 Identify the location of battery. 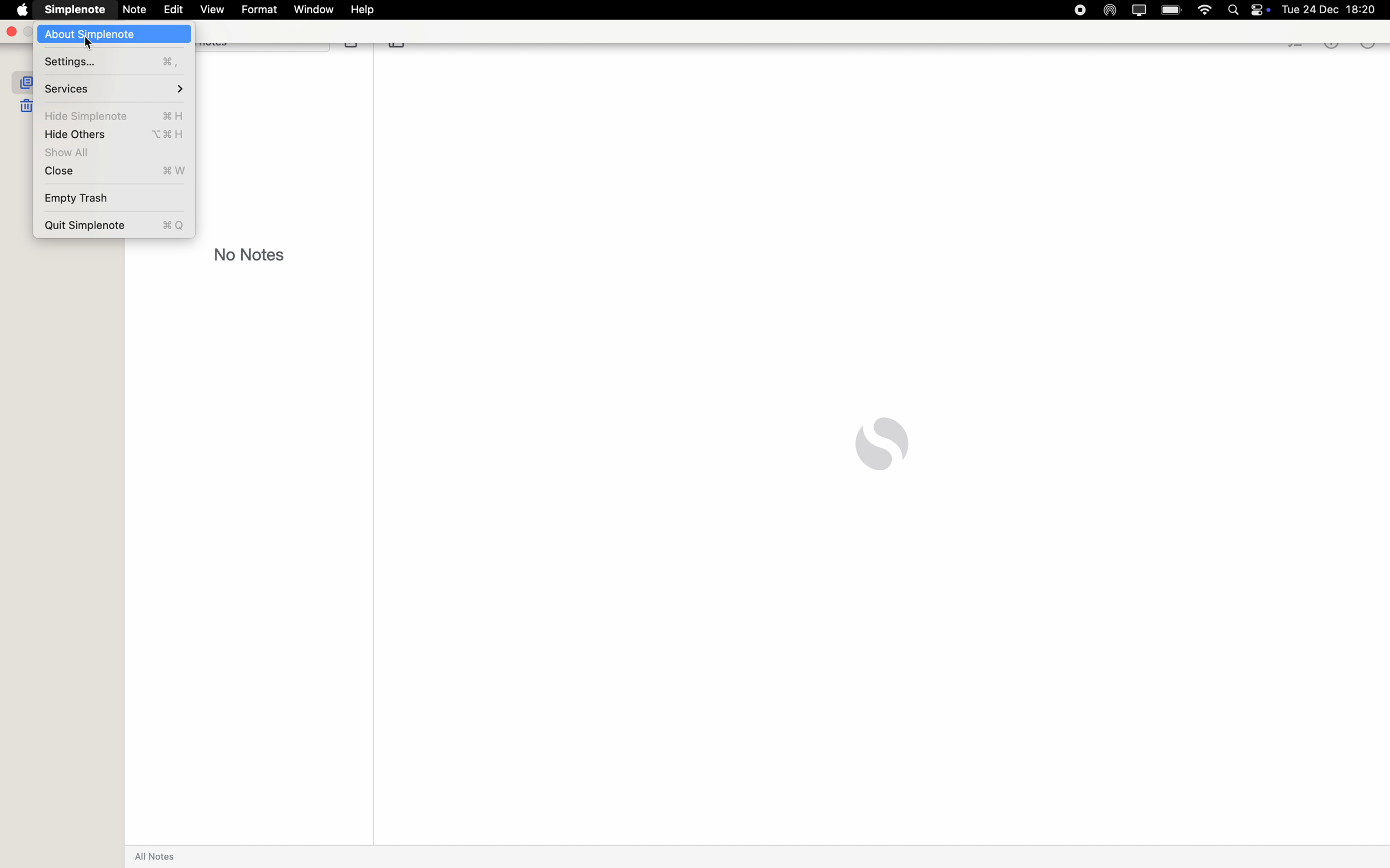
(1173, 10).